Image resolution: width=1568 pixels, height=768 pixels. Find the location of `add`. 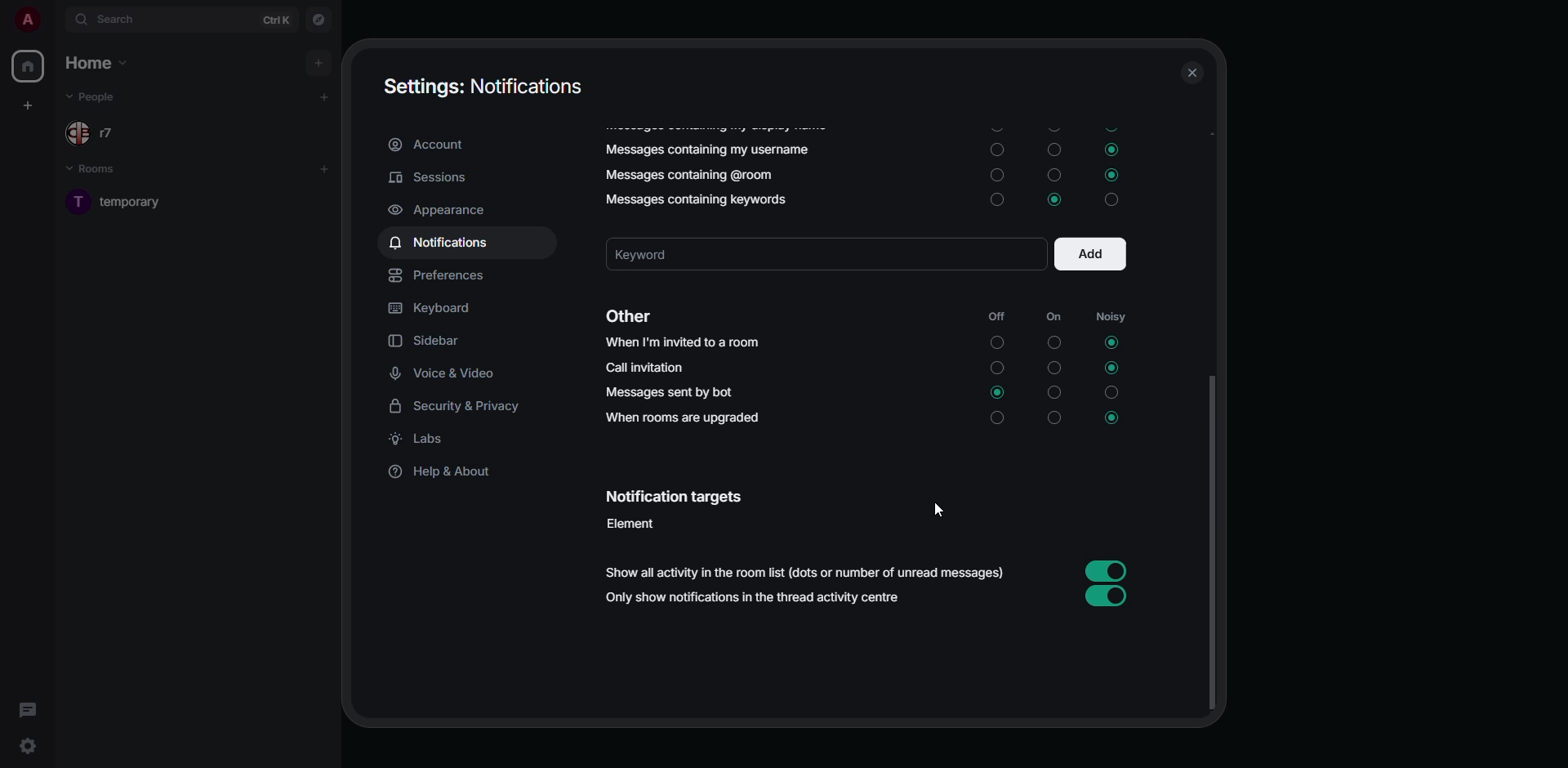

add is located at coordinates (1093, 255).